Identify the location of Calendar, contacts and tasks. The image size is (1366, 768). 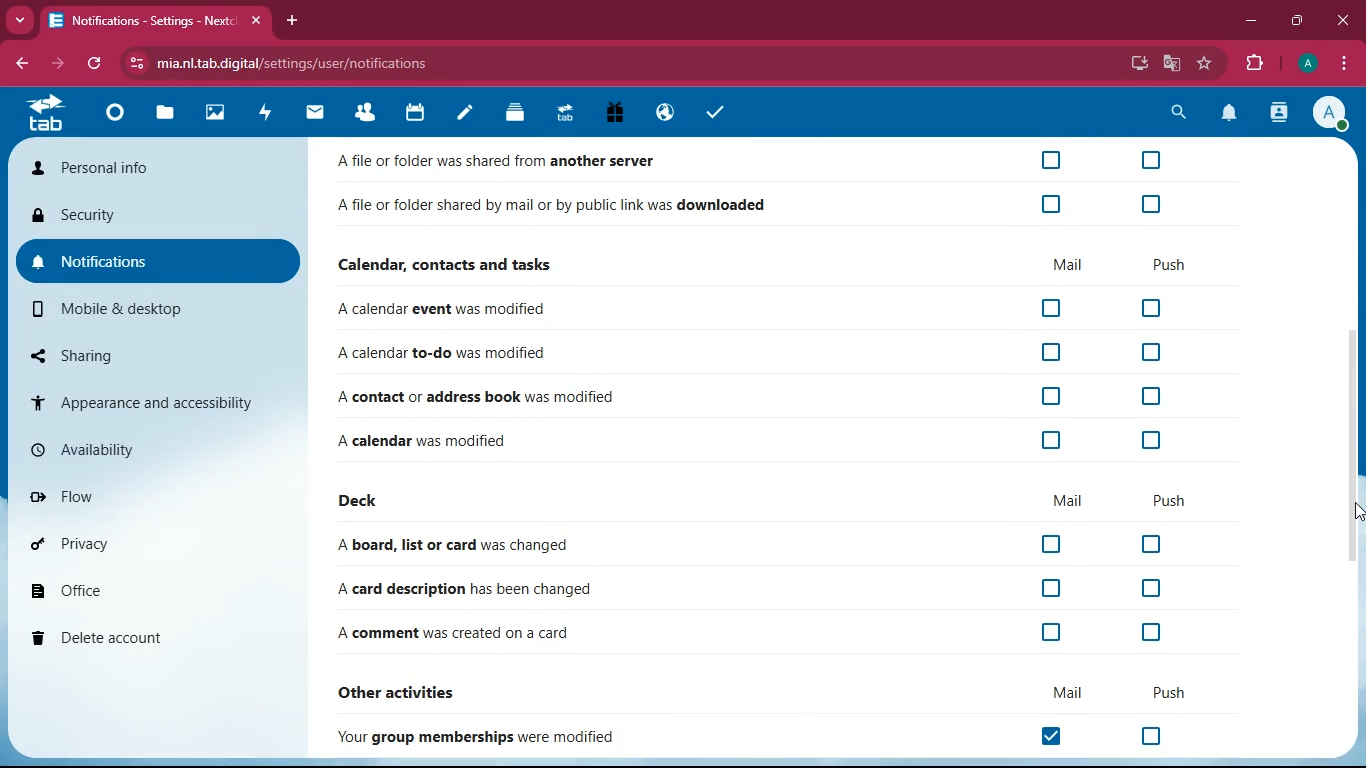
(449, 264).